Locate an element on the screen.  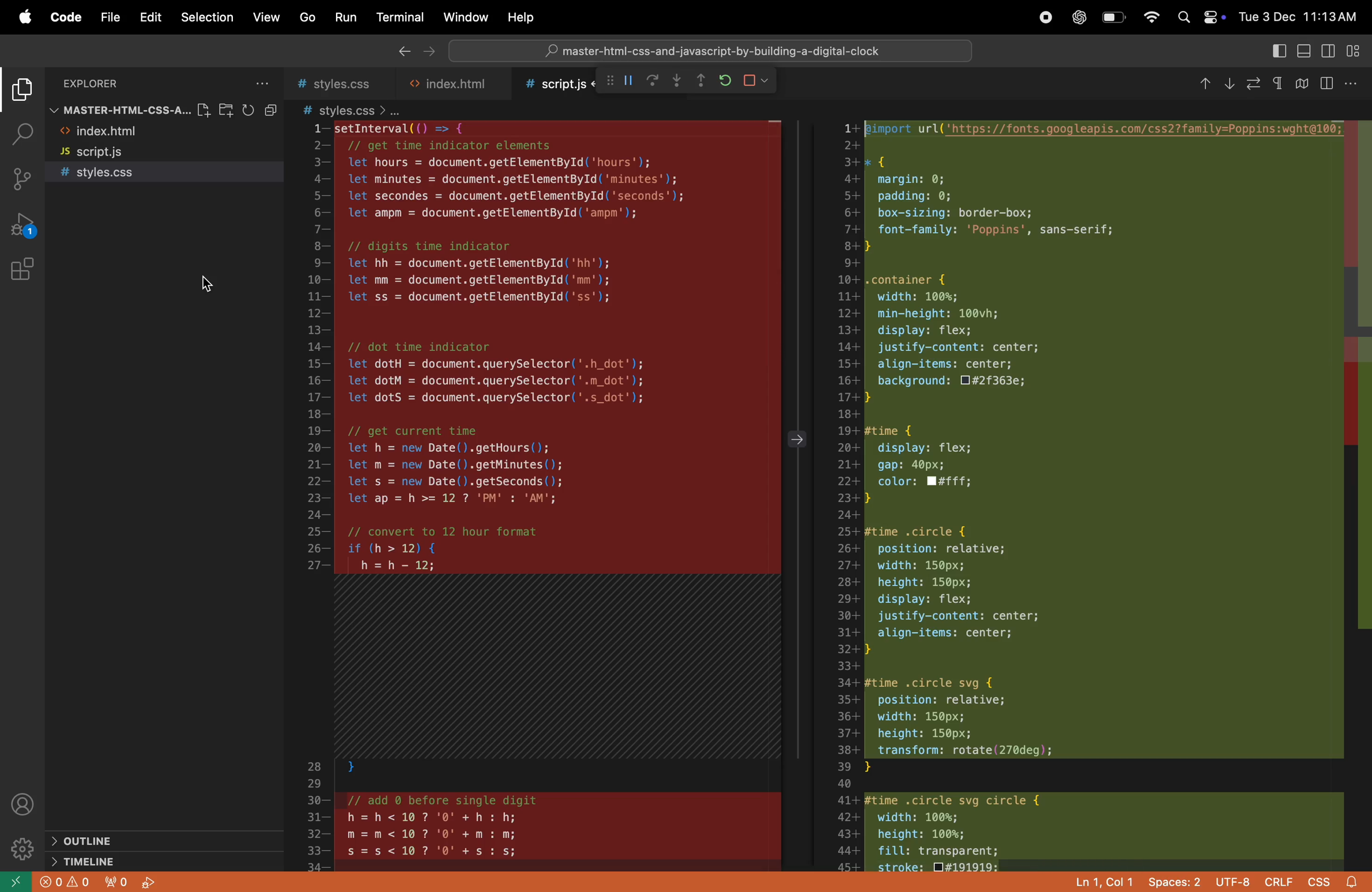
wifi is located at coordinates (1150, 16).